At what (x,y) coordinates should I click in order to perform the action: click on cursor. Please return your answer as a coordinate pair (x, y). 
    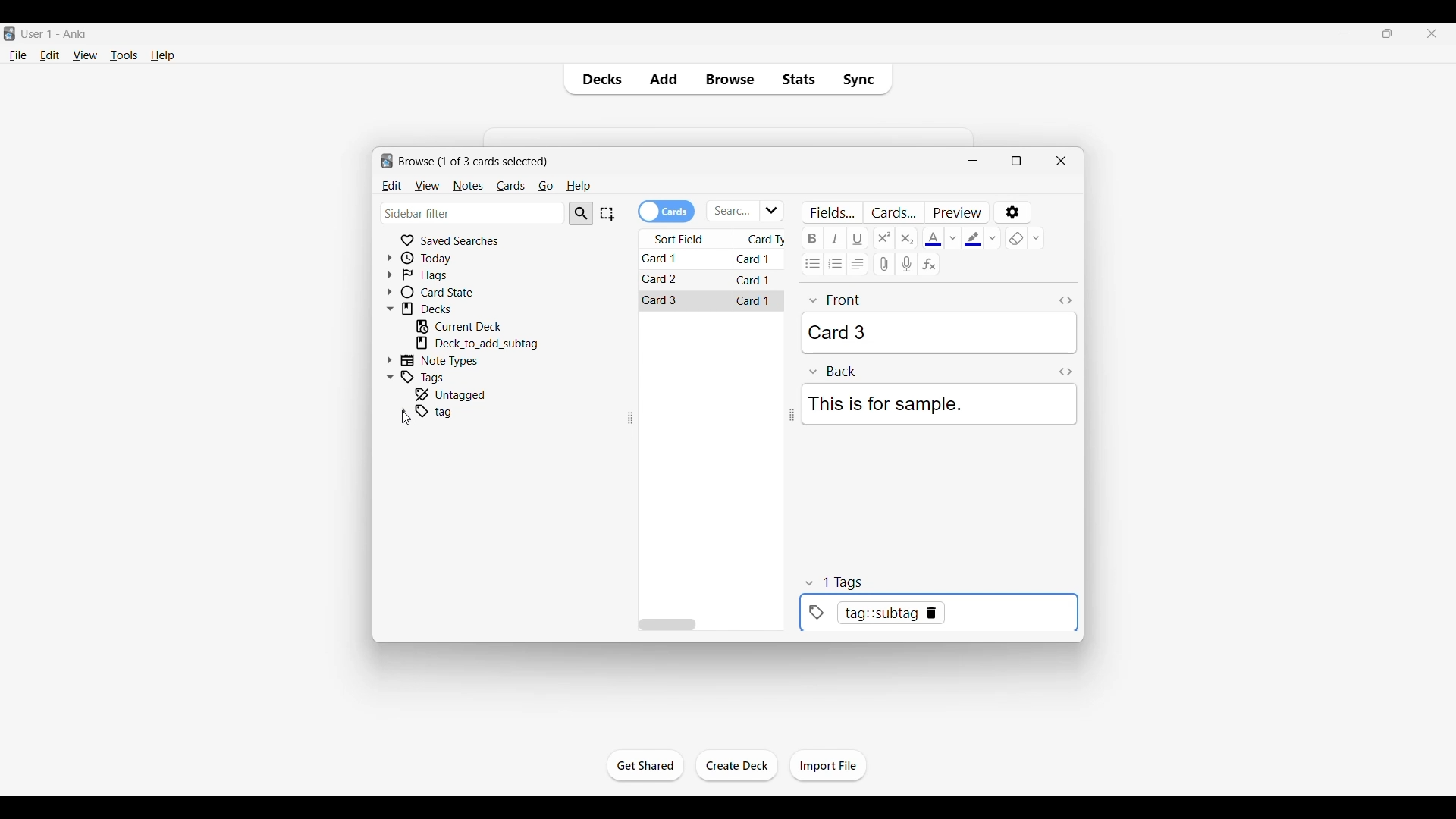
    Looking at the image, I should click on (403, 419).